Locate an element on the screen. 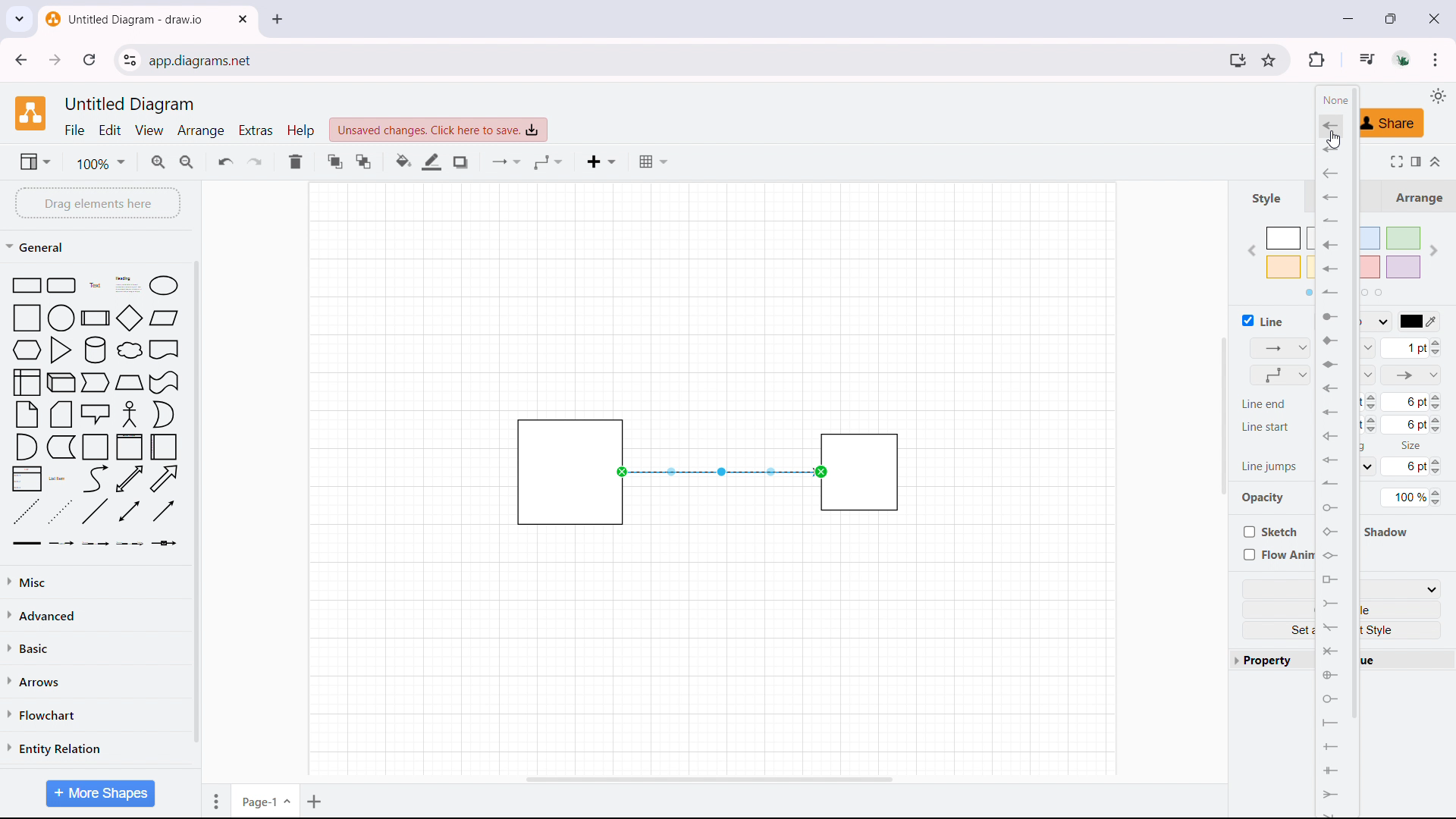  insert is located at coordinates (601, 162).